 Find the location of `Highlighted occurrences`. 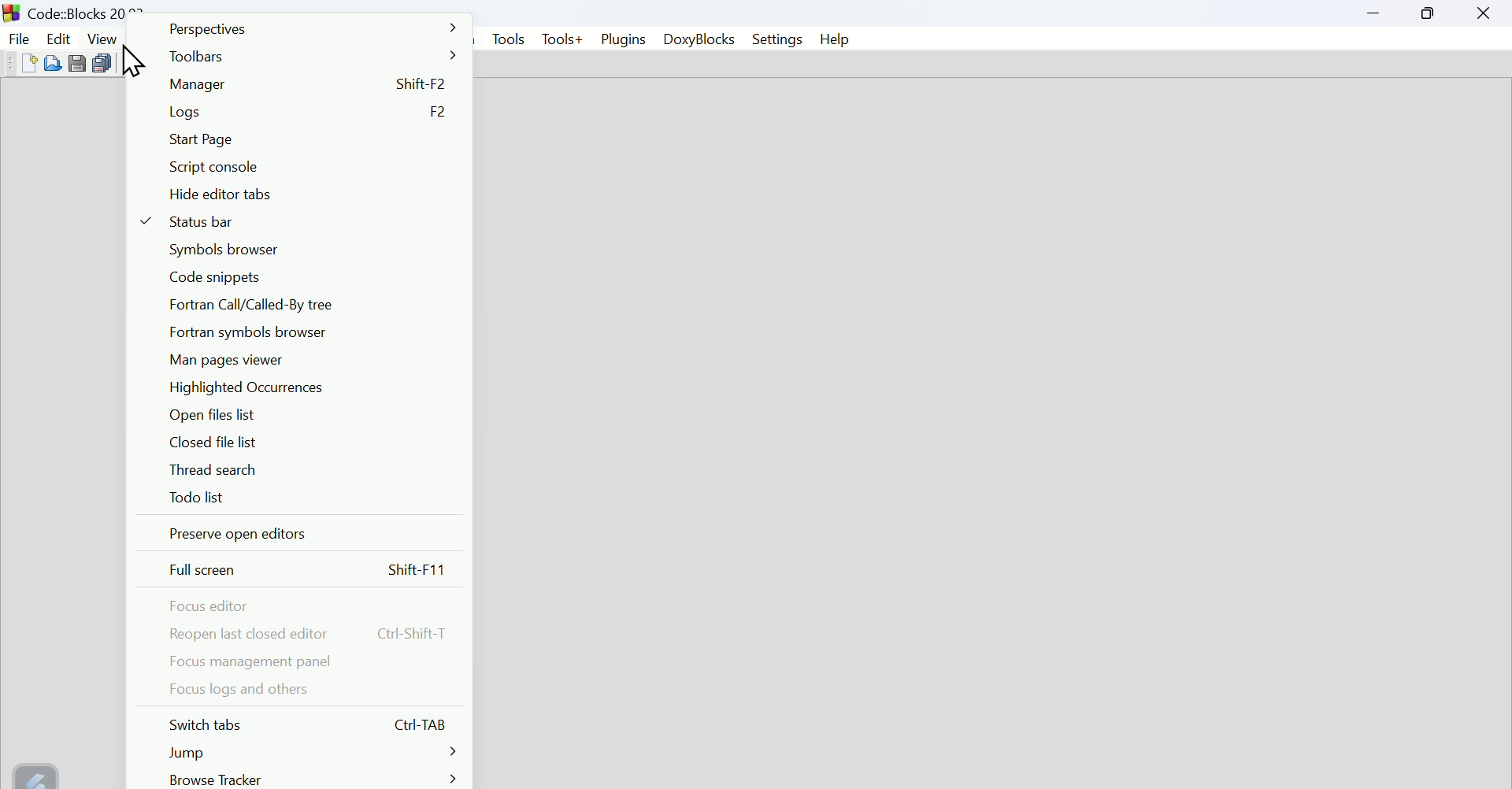

Highlighted occurrences is located at coordinates (246, 388).